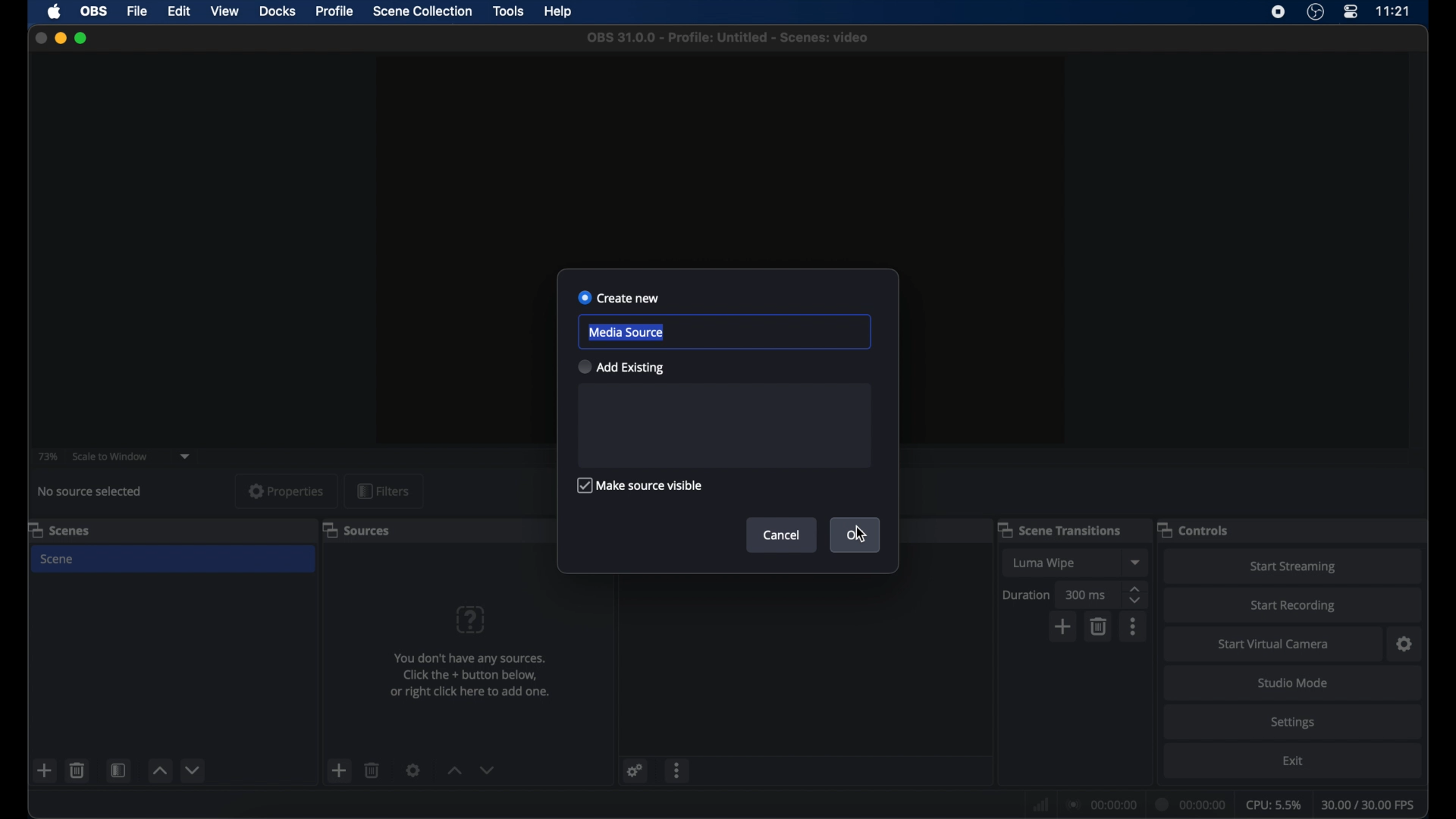 This screenshot has height=819, width=1456. I want to click on scale to window, so click(110, 457).